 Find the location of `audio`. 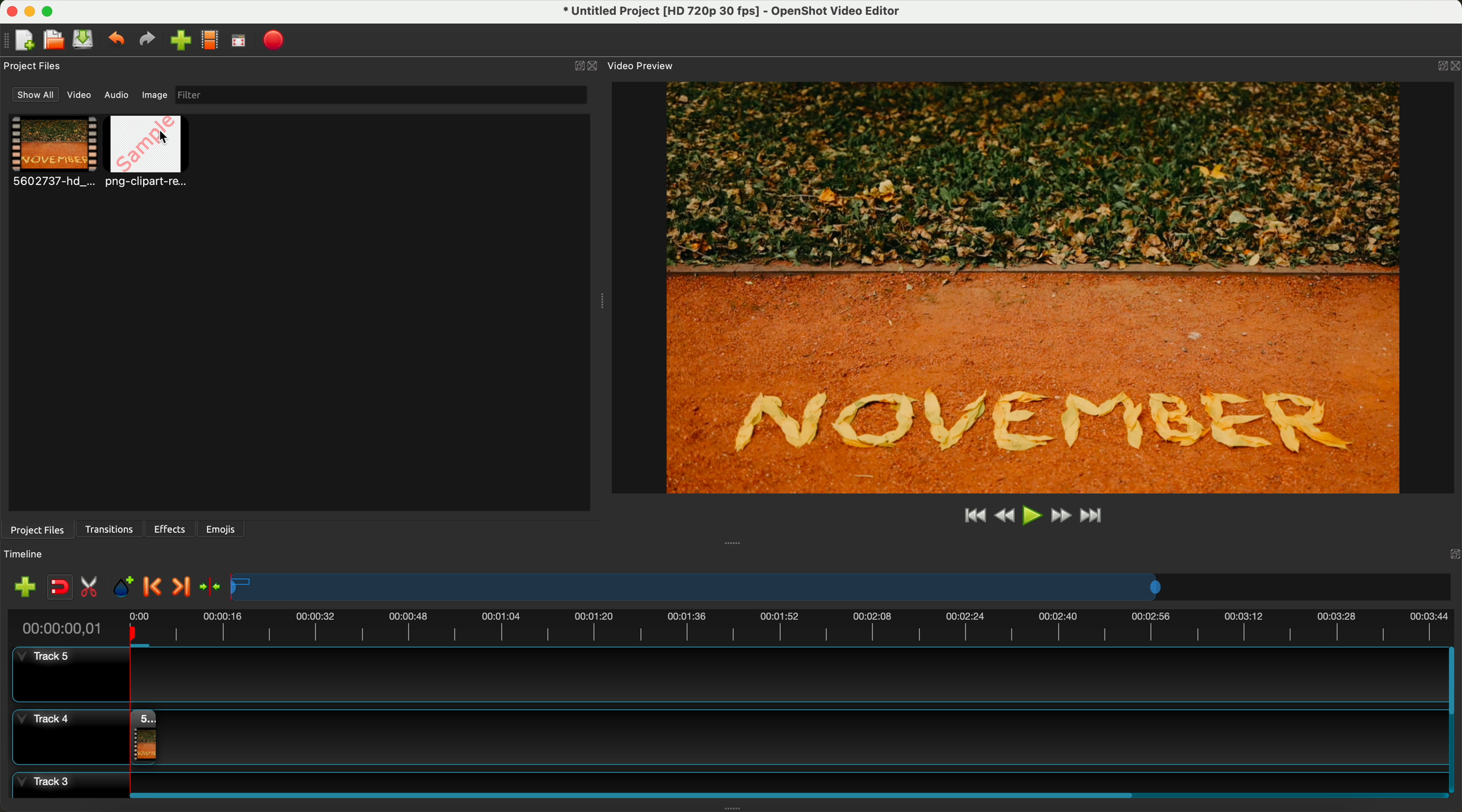

audio is located at coordinates (117, 94).